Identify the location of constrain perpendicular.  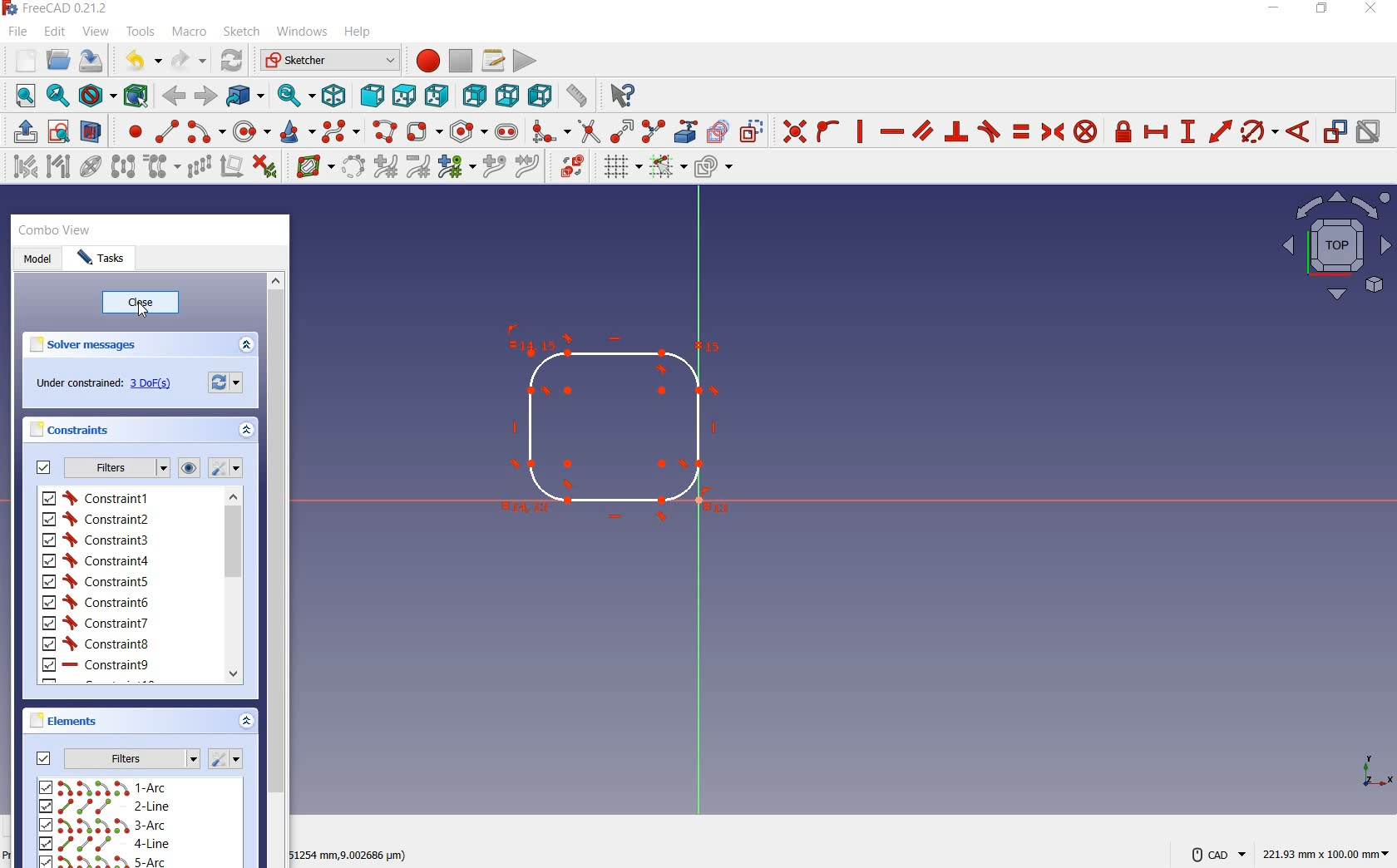
(955, 133).